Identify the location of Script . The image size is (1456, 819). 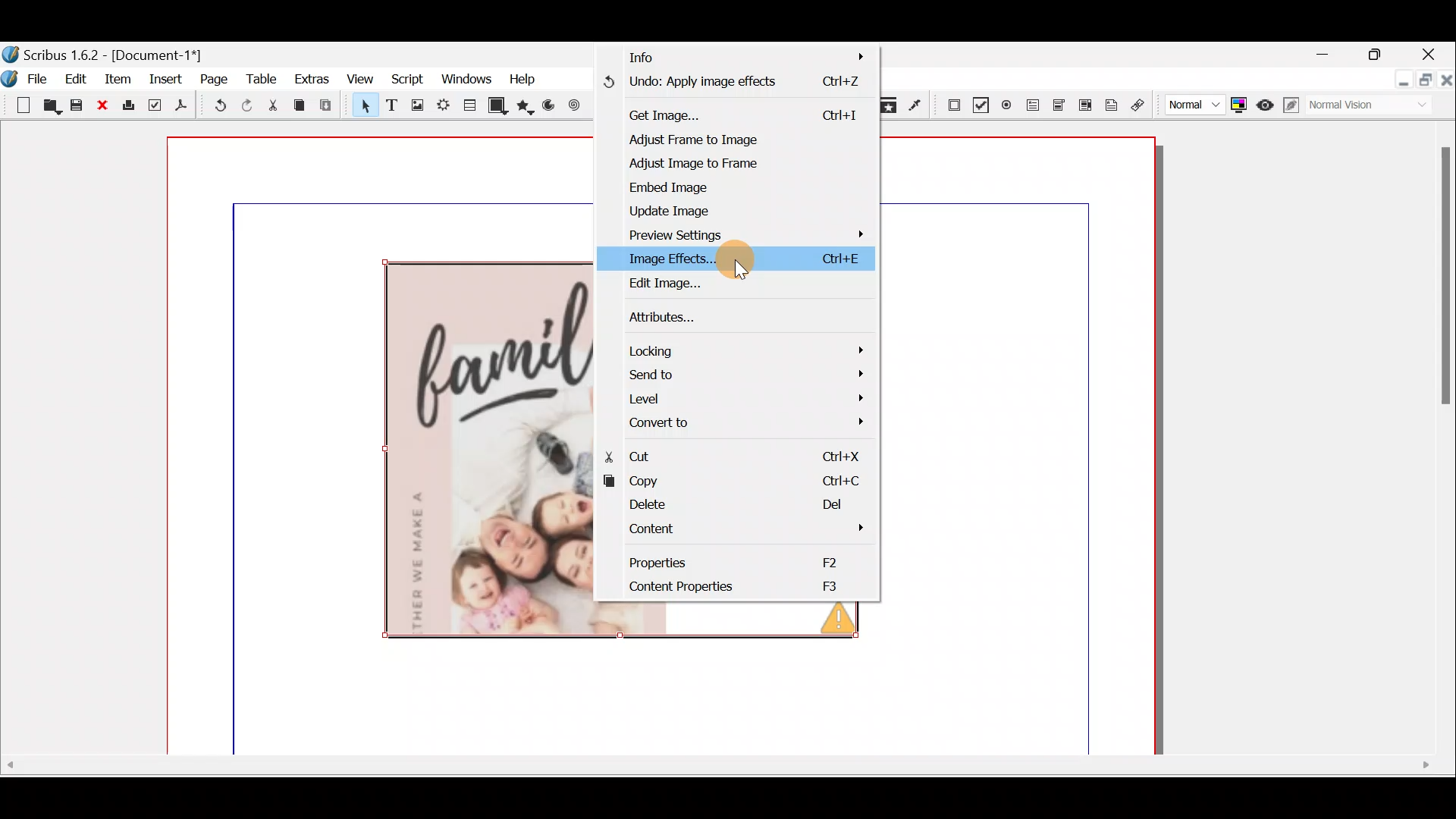
(412, 80).